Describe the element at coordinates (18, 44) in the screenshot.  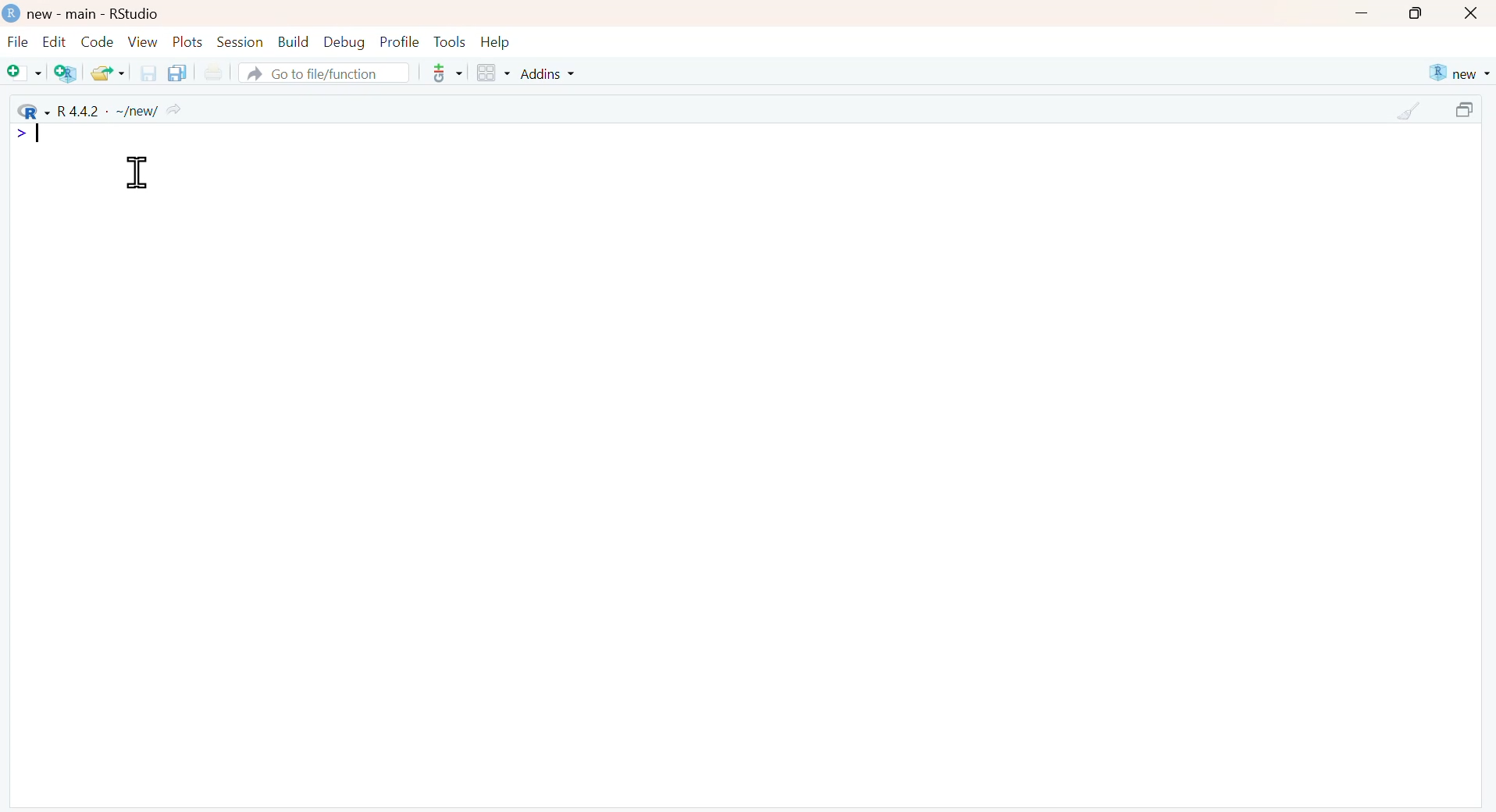
I see `File` at that location.